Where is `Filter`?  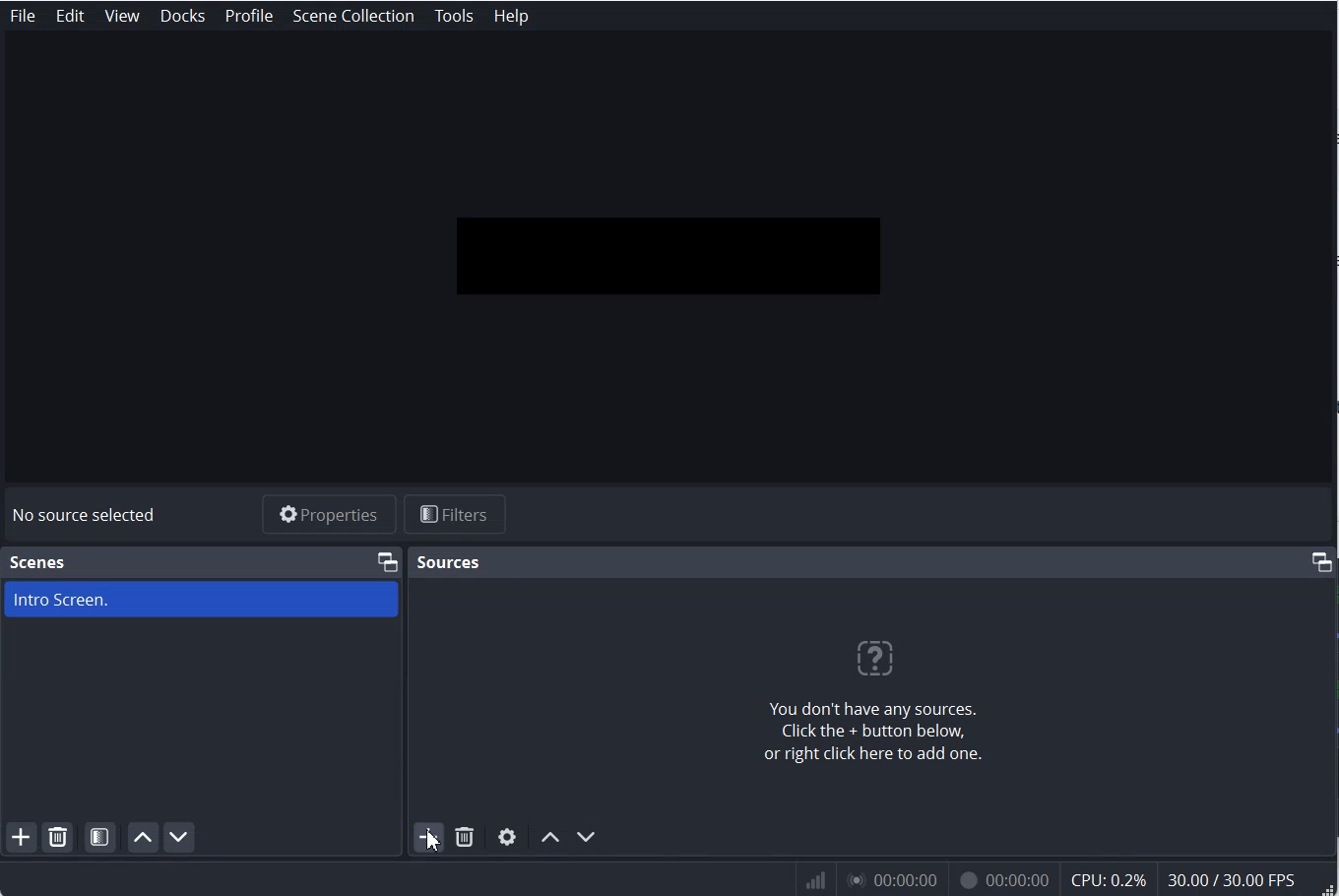 Filter is located at coordinates (463, 516).